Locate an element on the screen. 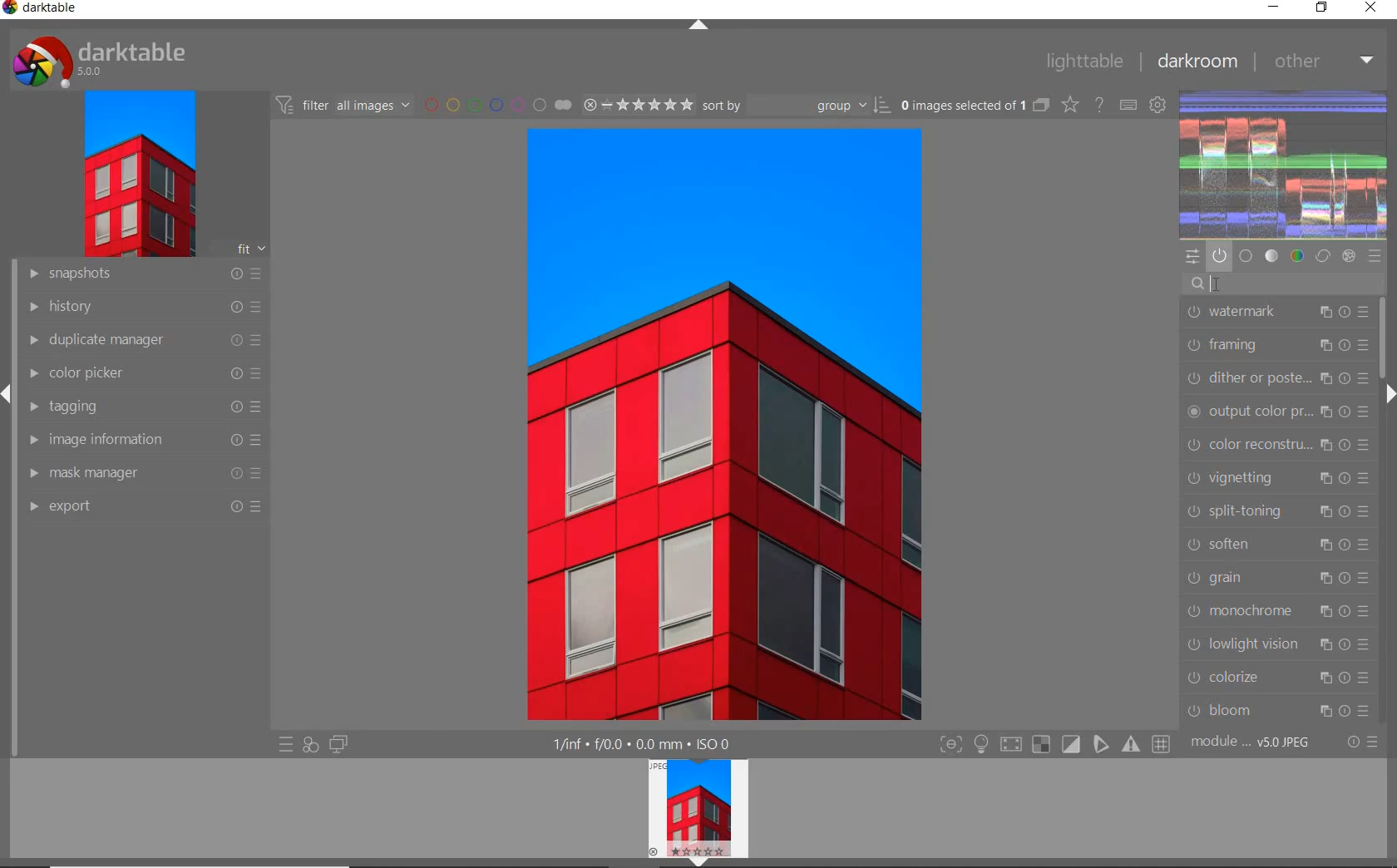 The image size is (1397, 868). reset or presets & preferences is located at coordinates (1362, 743).